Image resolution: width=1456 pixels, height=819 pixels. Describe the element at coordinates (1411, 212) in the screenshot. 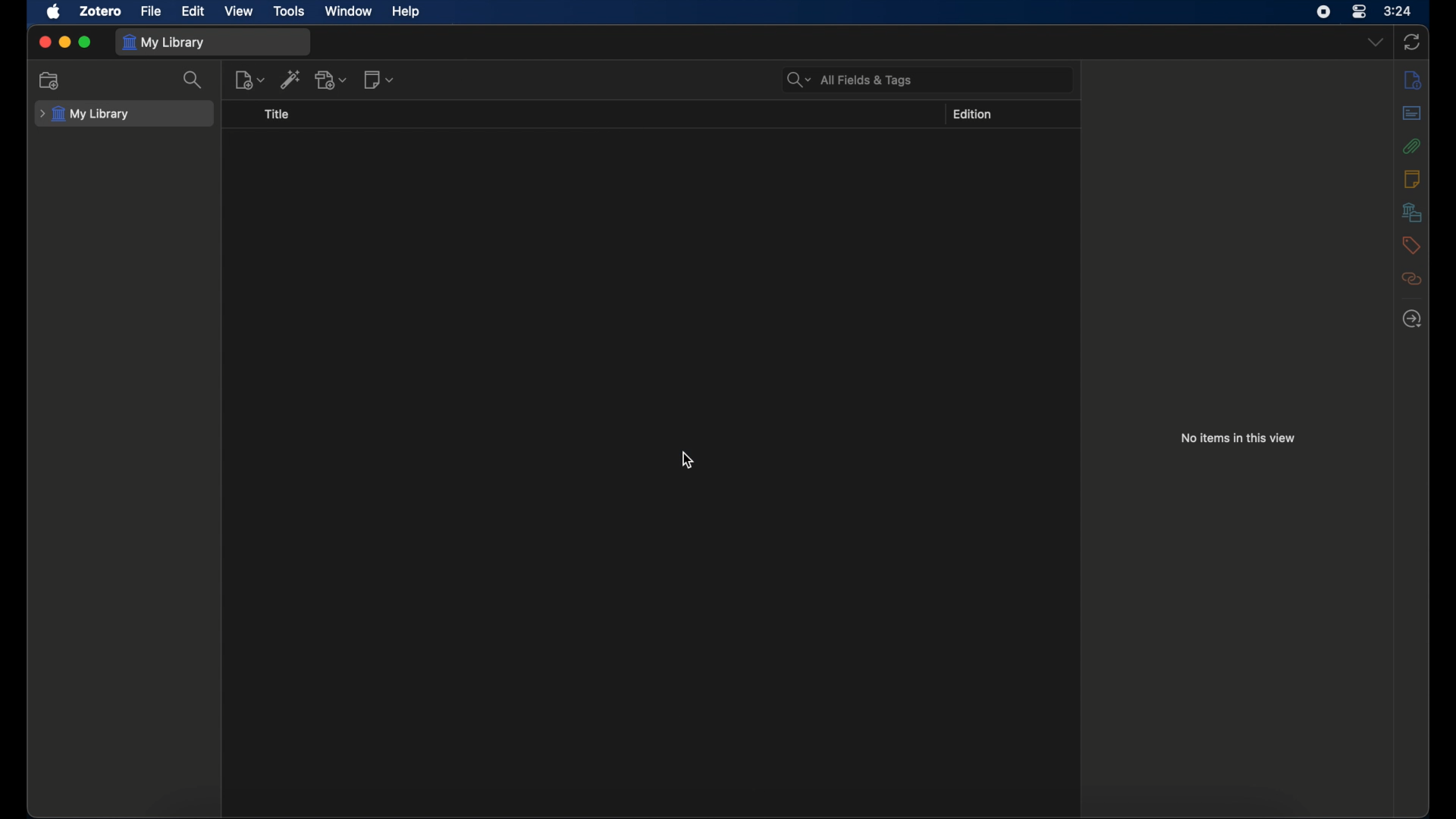

I see `libraries` at that location.